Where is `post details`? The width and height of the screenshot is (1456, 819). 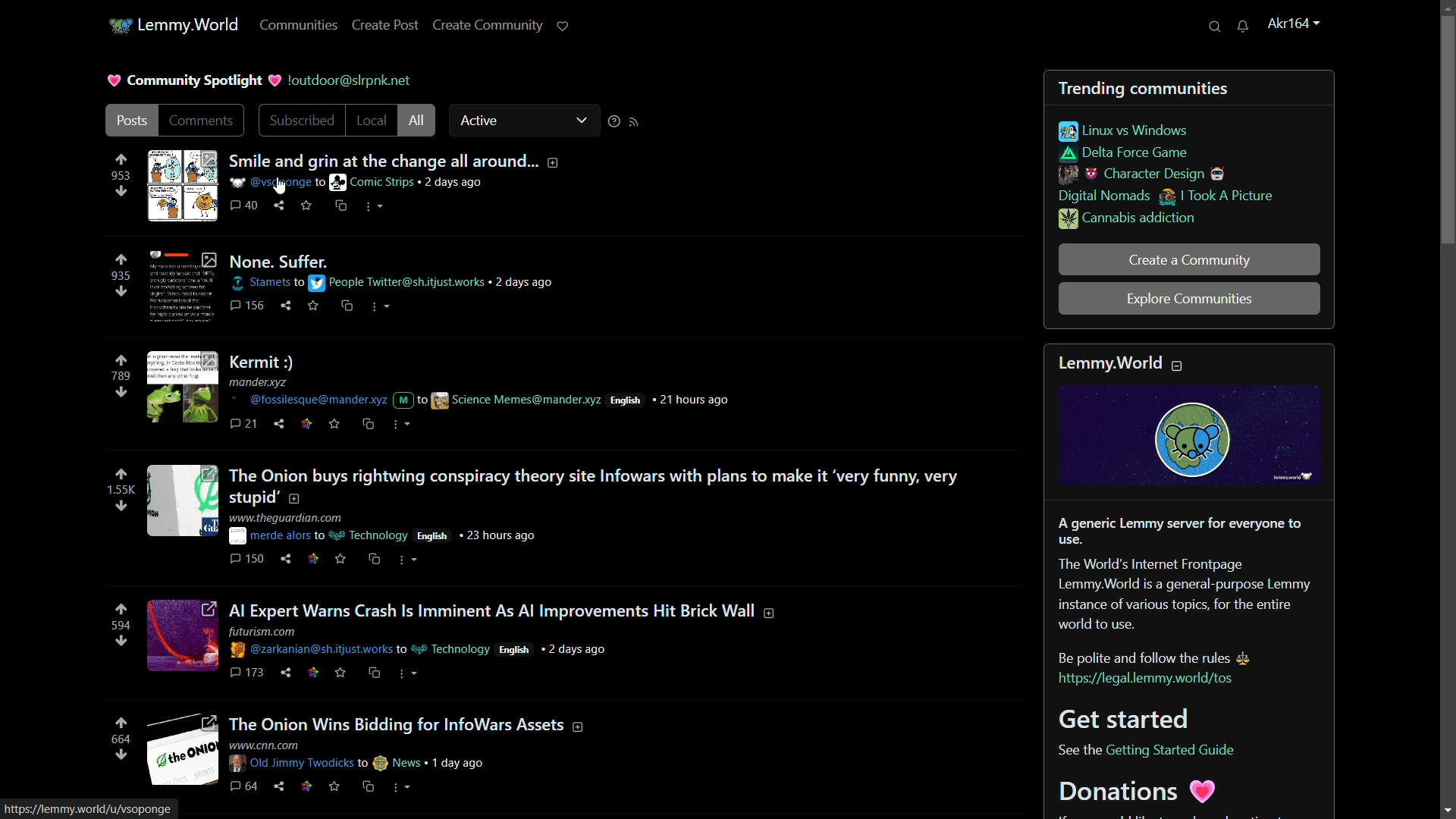 post details is located at coordinates (396, 284).